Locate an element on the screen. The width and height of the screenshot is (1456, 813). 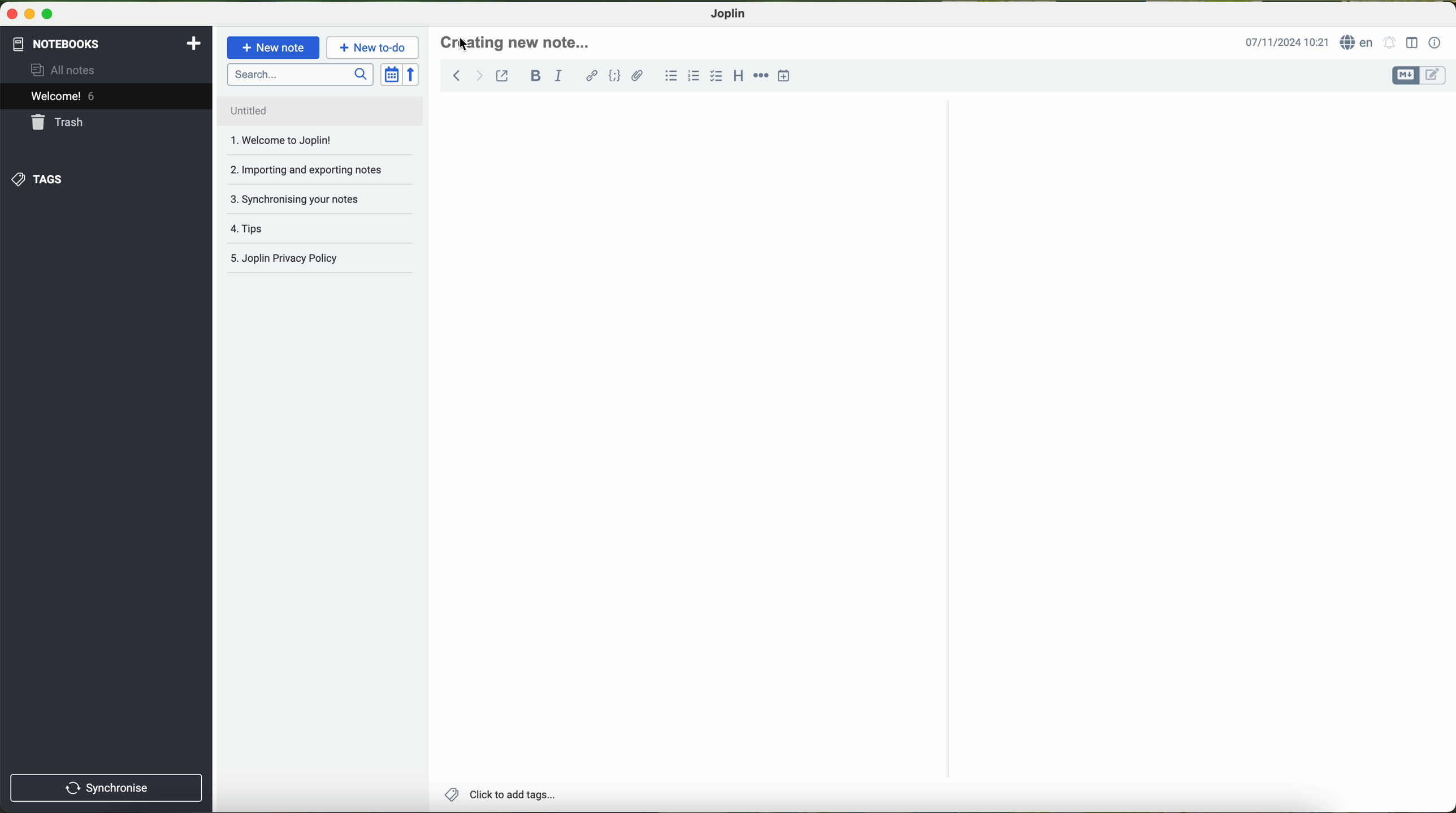
synchronise button is located at coordinates (107, 788).